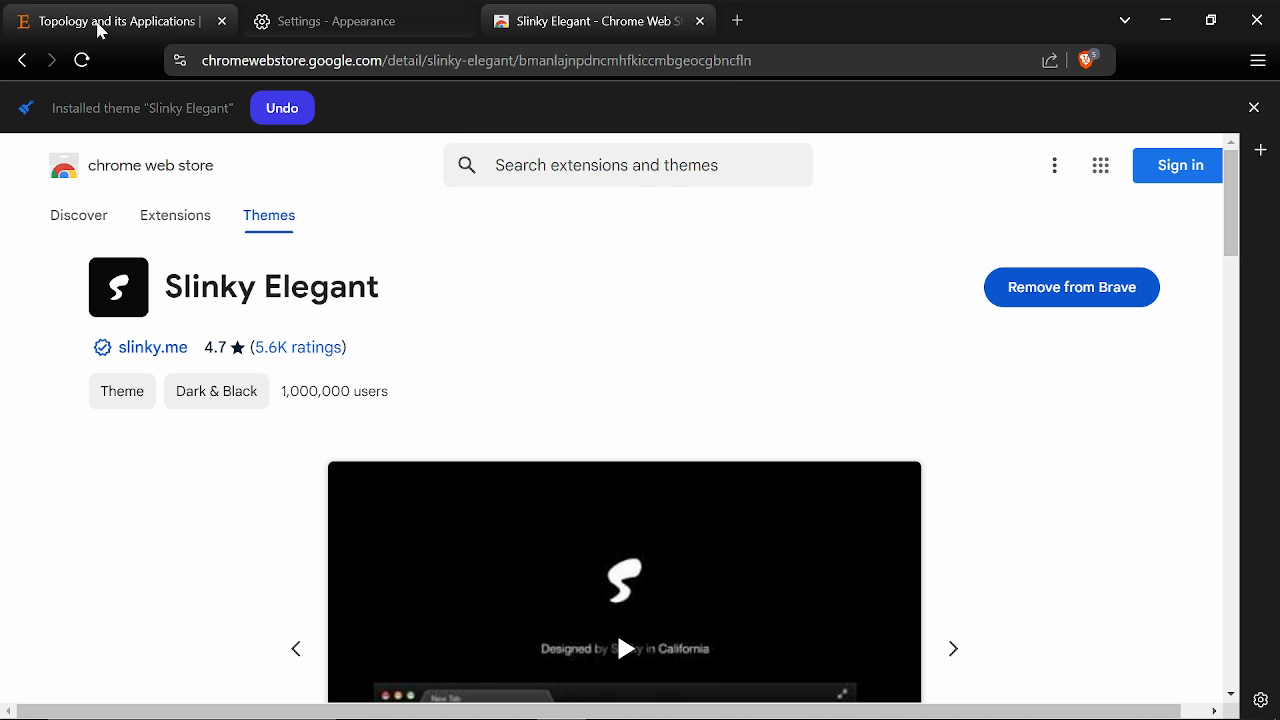 The image size is (1280, 720). Describe the element at coordinates (178, 63) in the screenshot. I see `Cite information` at that location.